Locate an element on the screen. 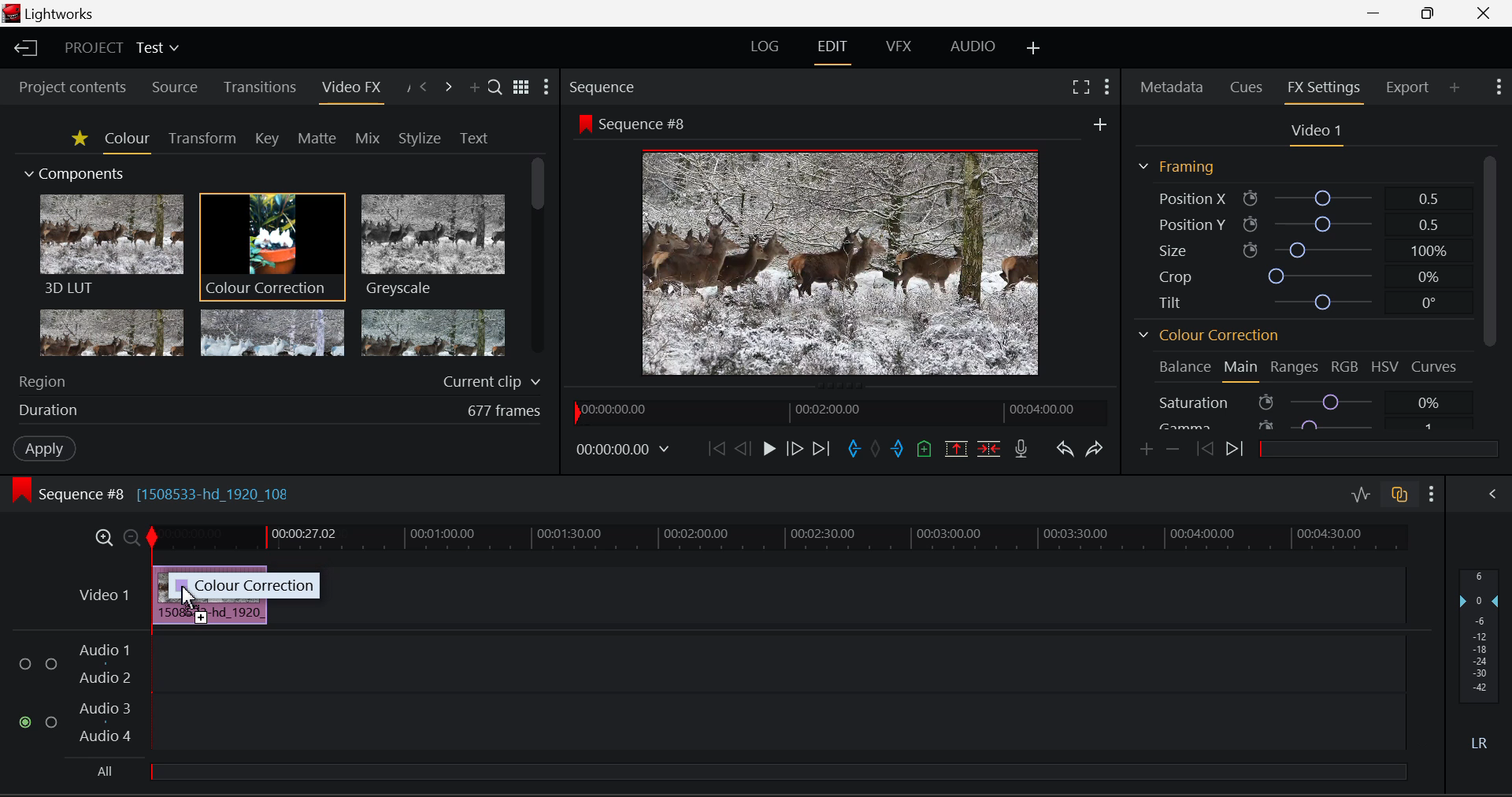 This screenshot has width=1512, height=797. Ranges is located at coordinates (1295, 369).